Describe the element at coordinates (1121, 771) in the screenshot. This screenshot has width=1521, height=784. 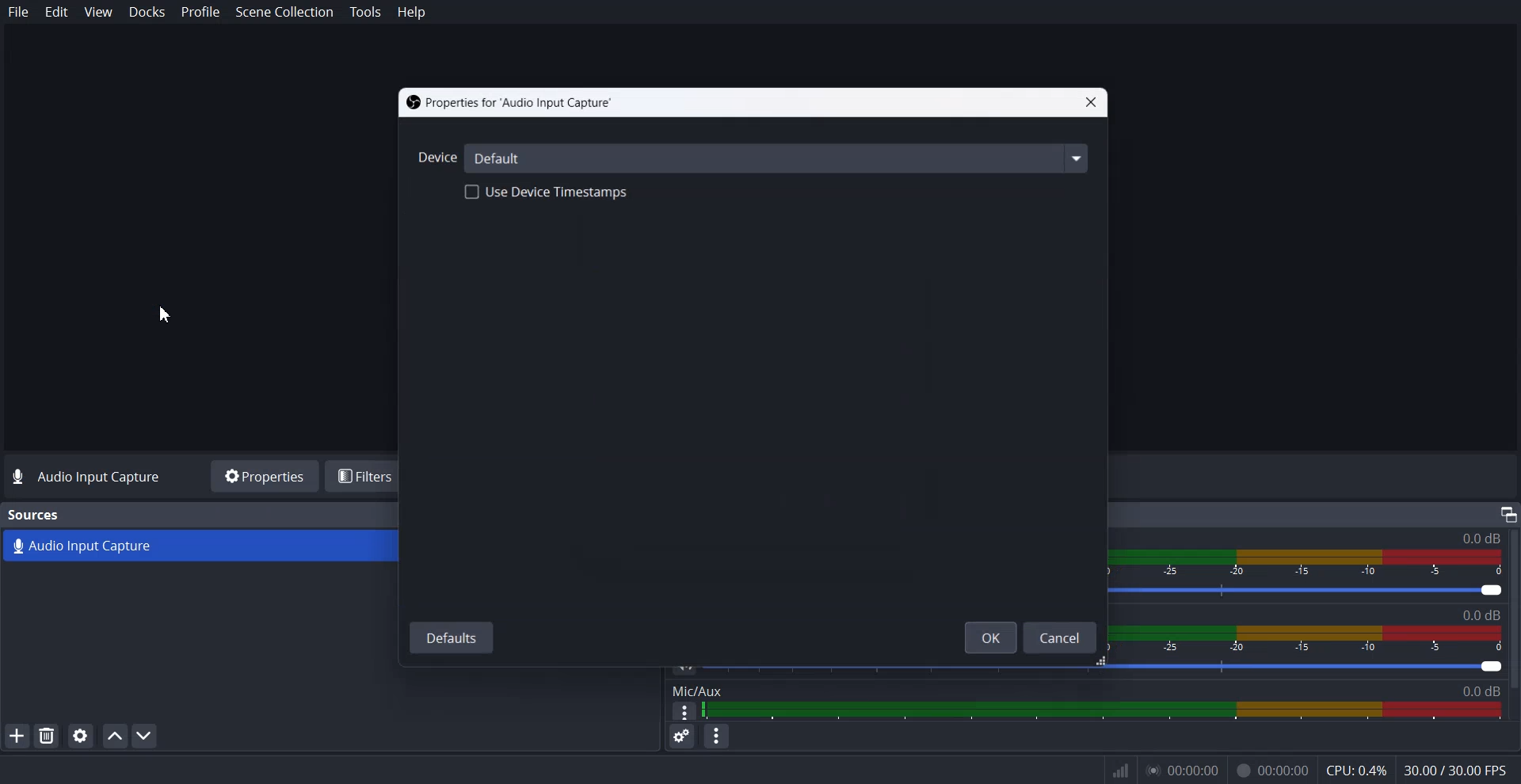
I see `Inf` at that location.